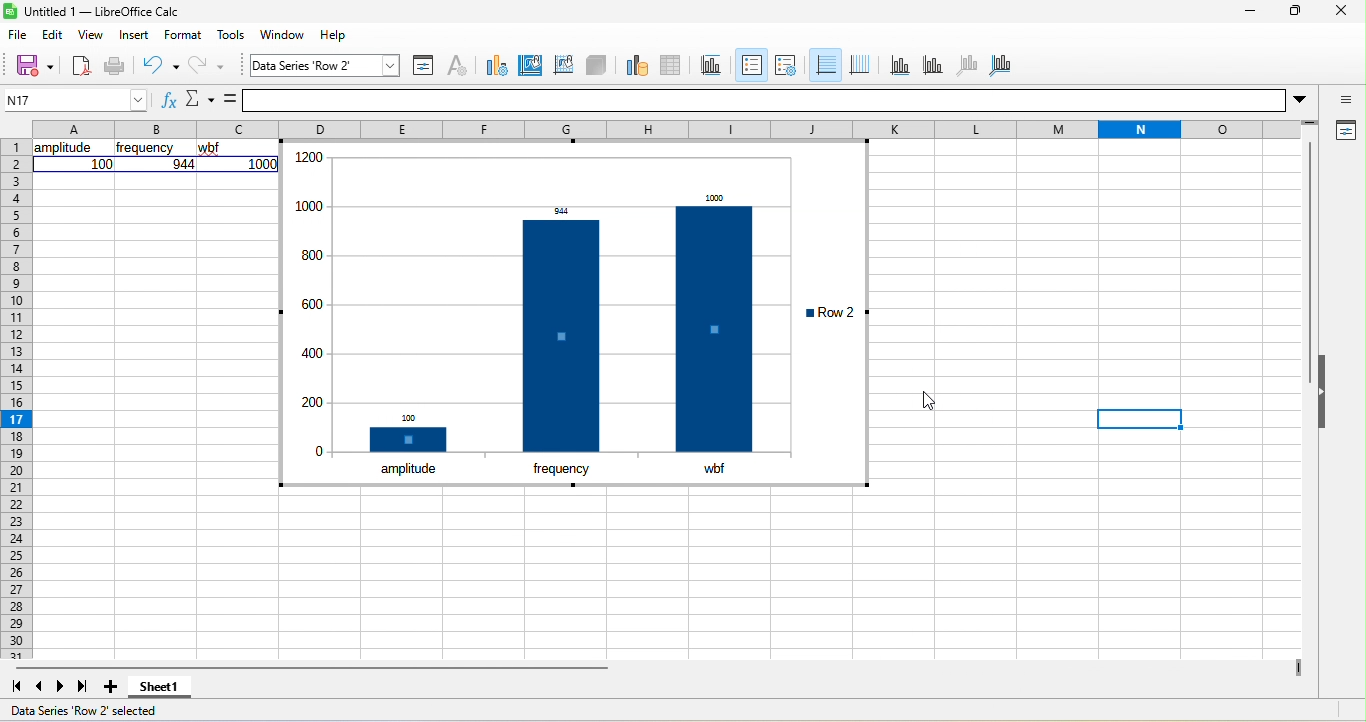 Image resolution: width=1366 pixels, height=722 pixels. Describe the element at coordinates (55, 36) in the screenshot. I see `edit` at that location.